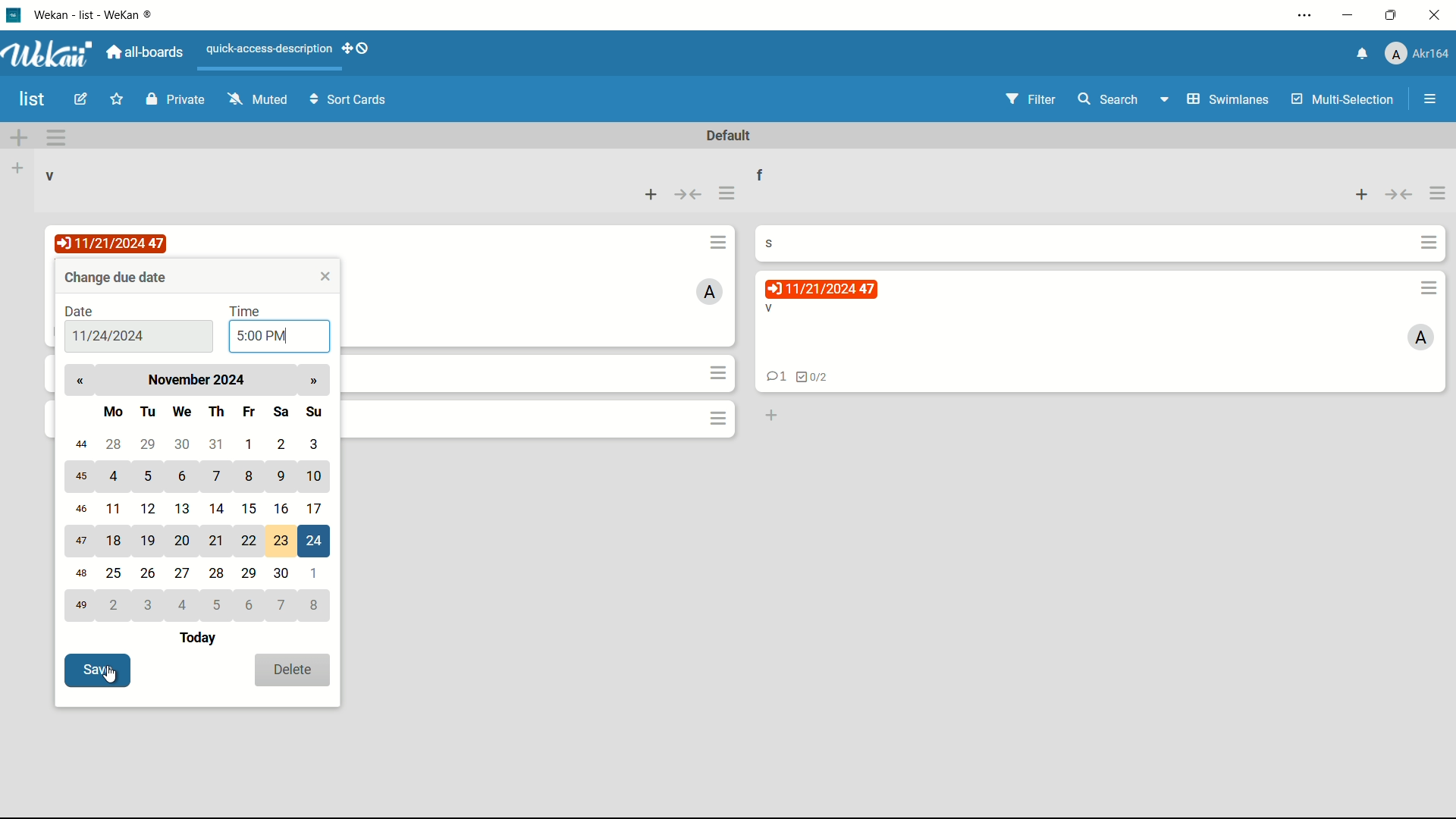 The height and width of the screenshot is (819, 1456). Describe the element at coordinates (768, 309) in the screenshot. I see `card  name` at that location.